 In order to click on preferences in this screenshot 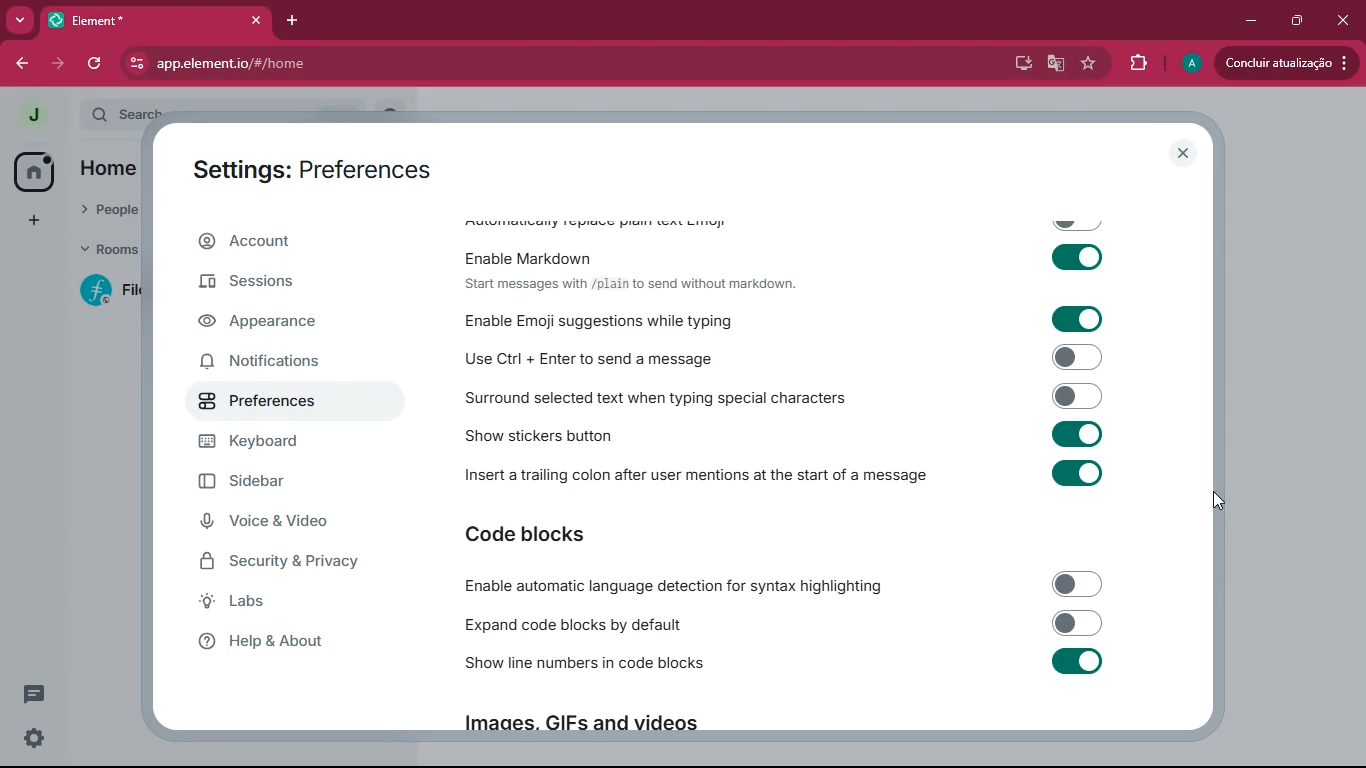, I will do `click(286, 402)`.